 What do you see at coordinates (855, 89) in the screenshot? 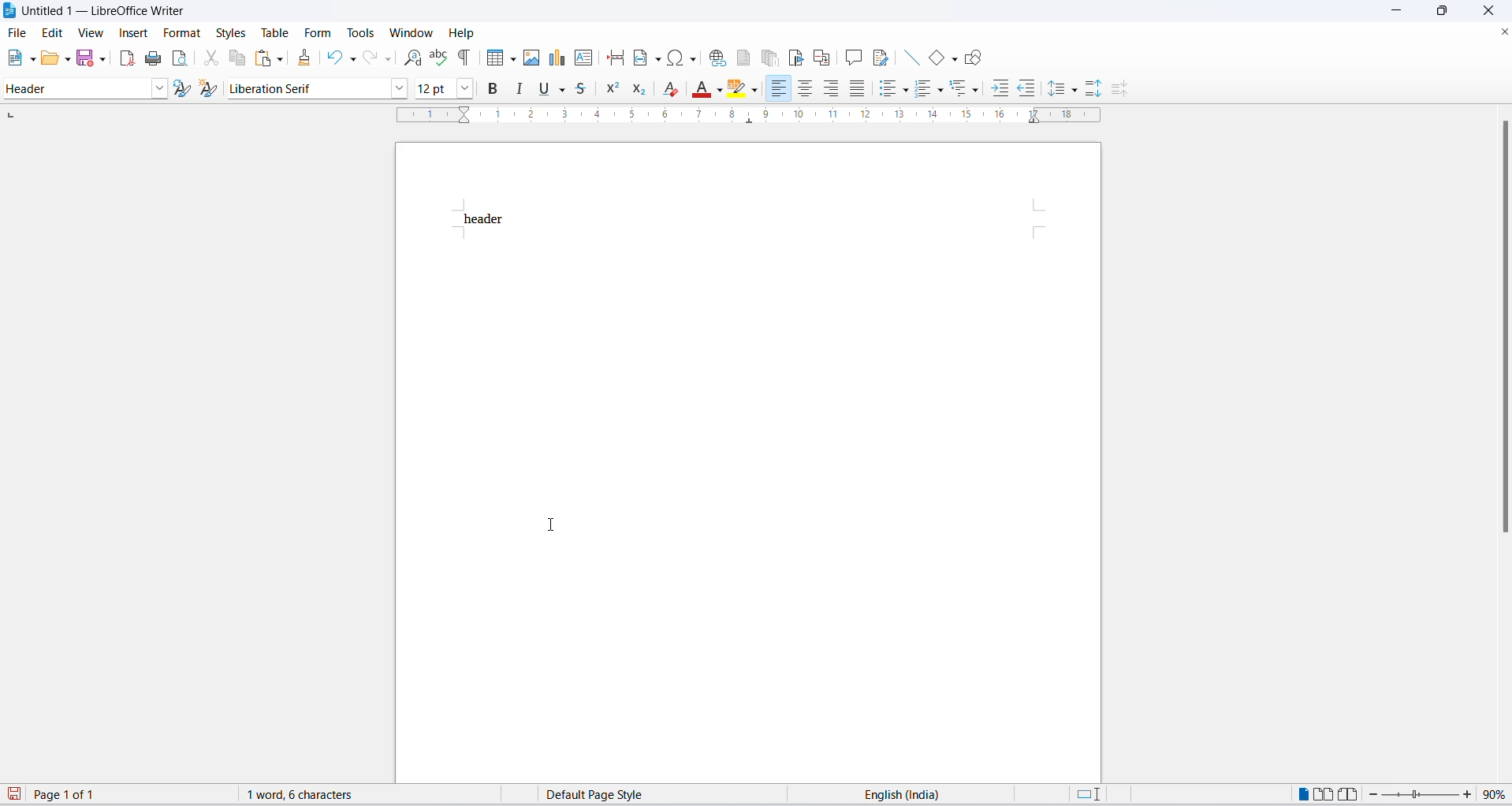
I see `justified` at bounding box center [855, 89].